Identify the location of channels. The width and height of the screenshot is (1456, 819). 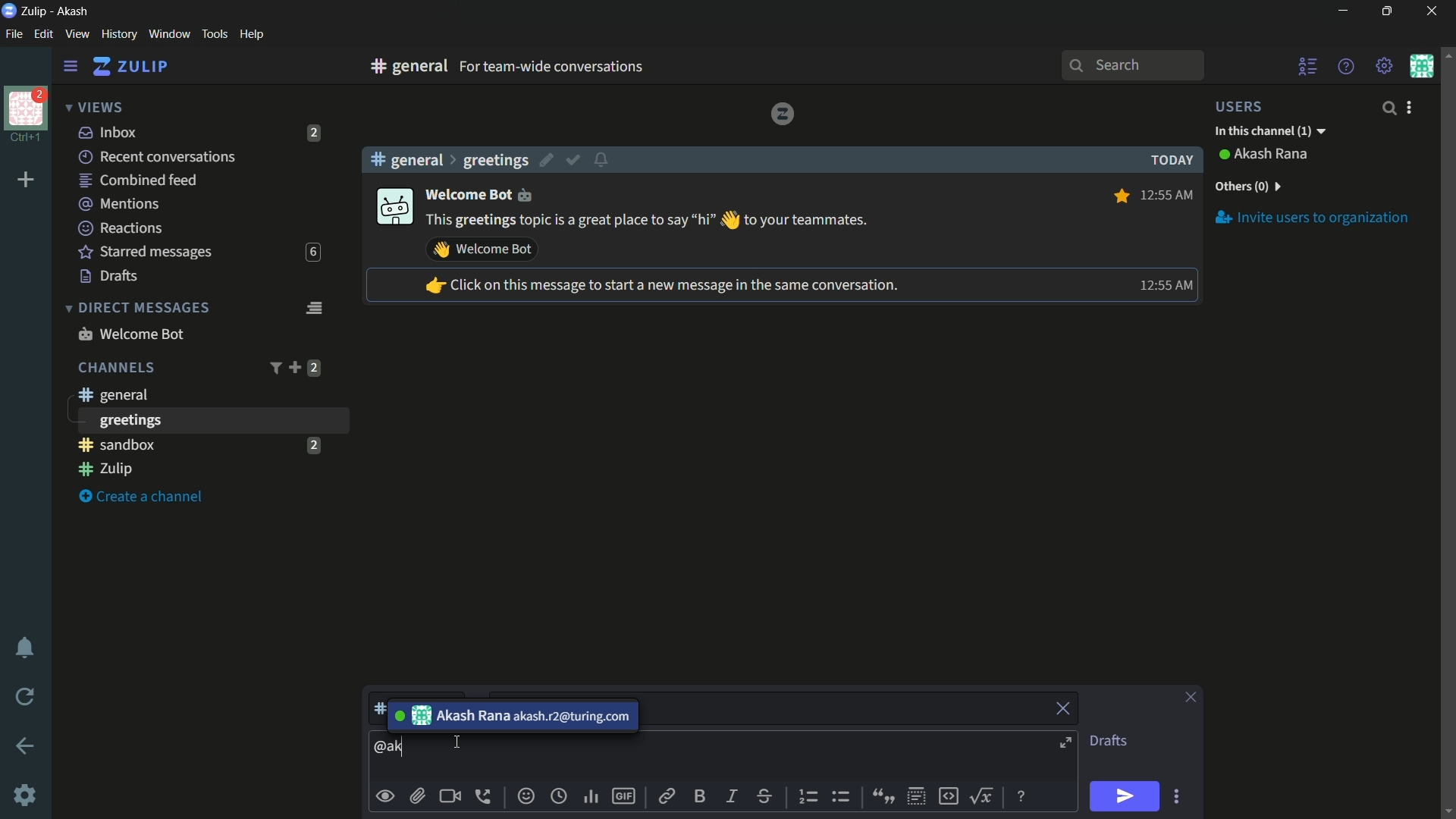
(115, 368).